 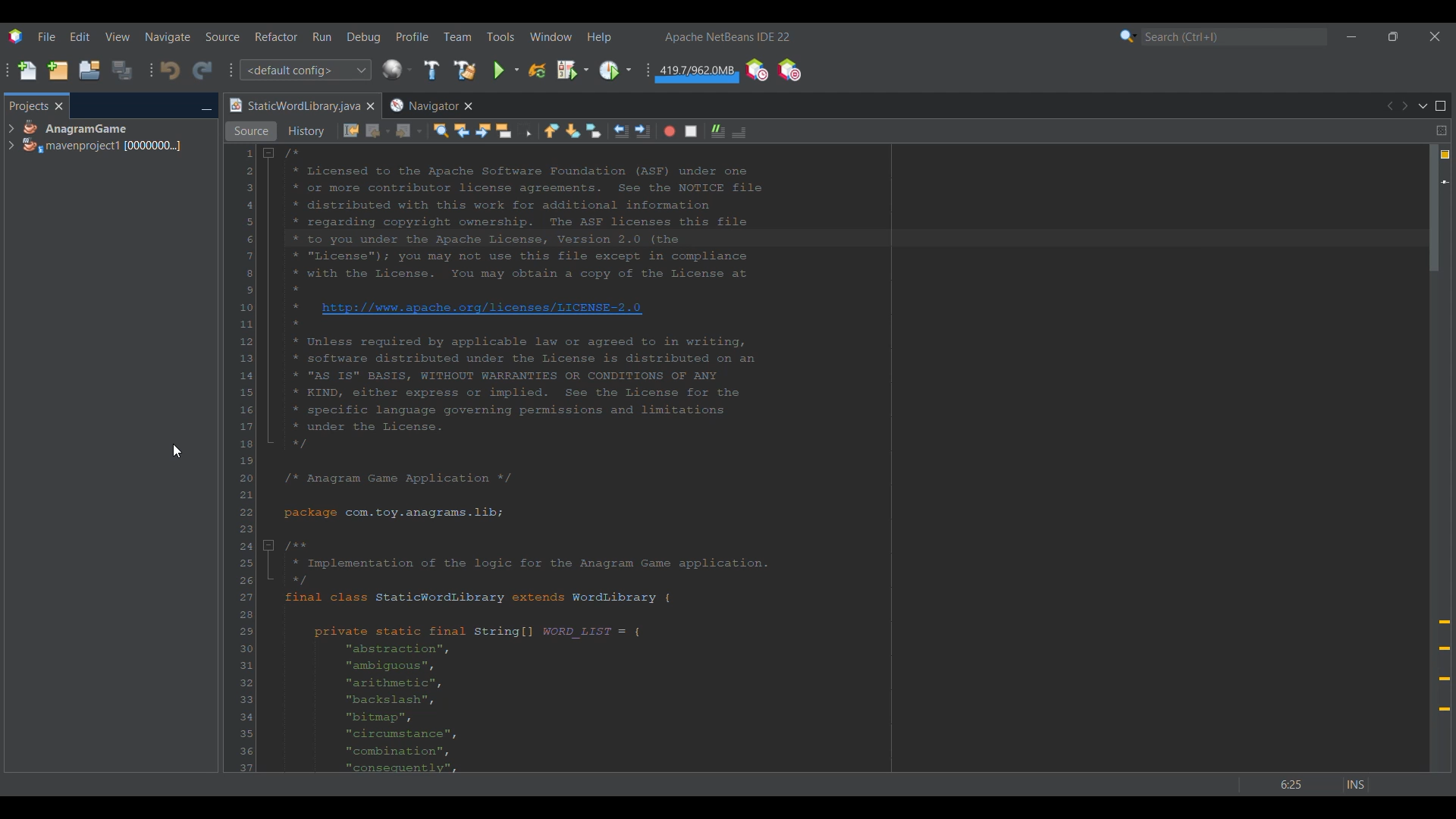 I want to click on Configure window, so click(x=397, y=69).